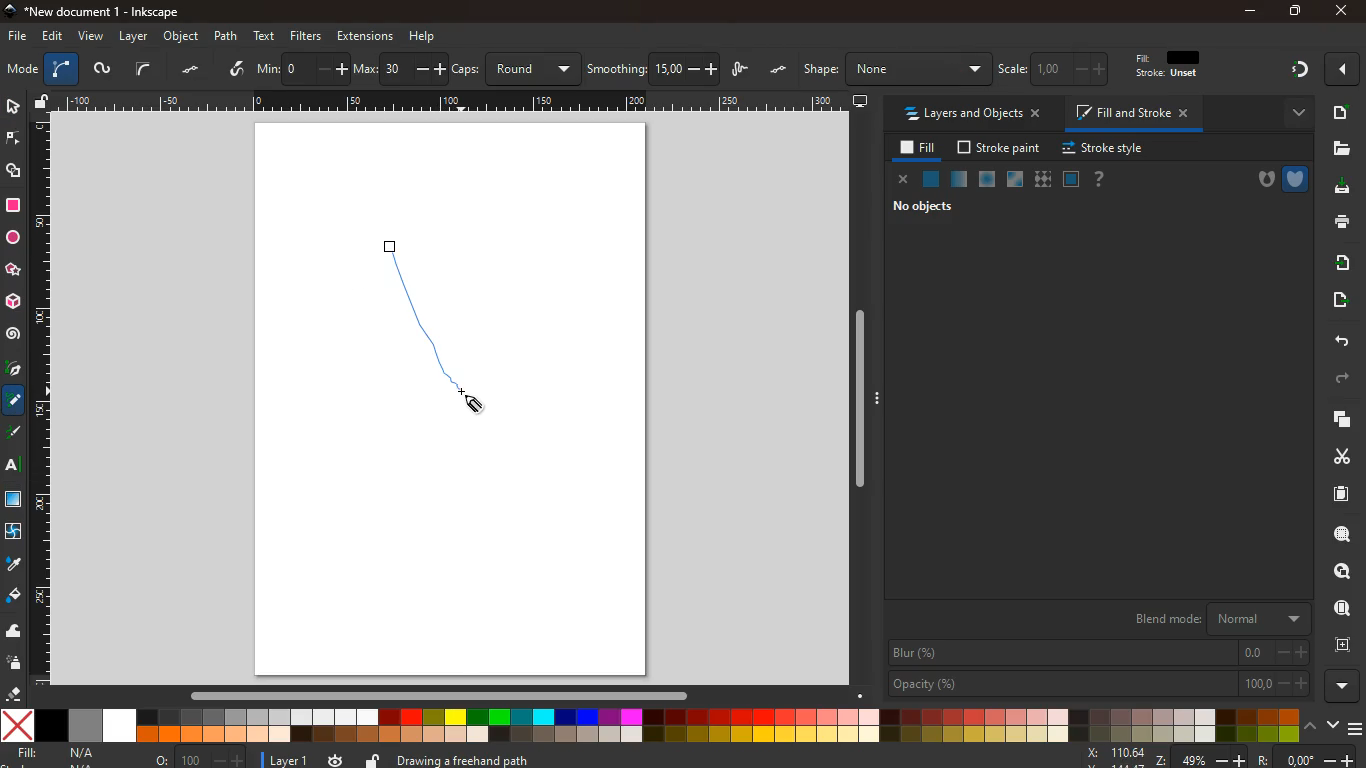  Describe the element at coordinates (13, 565) in the screenshot. I see `drop` at that location.